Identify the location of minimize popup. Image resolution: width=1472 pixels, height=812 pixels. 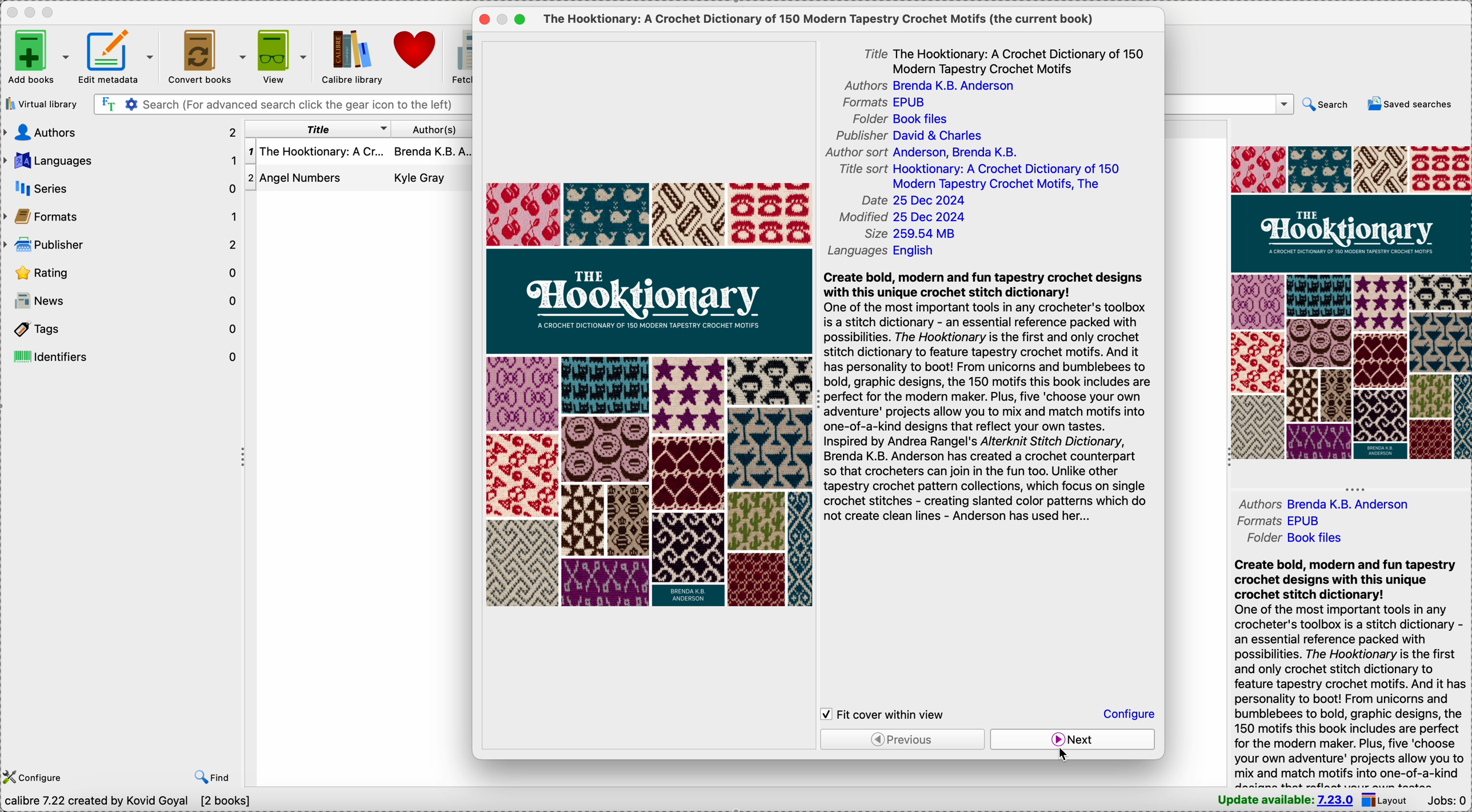
(503, 20).